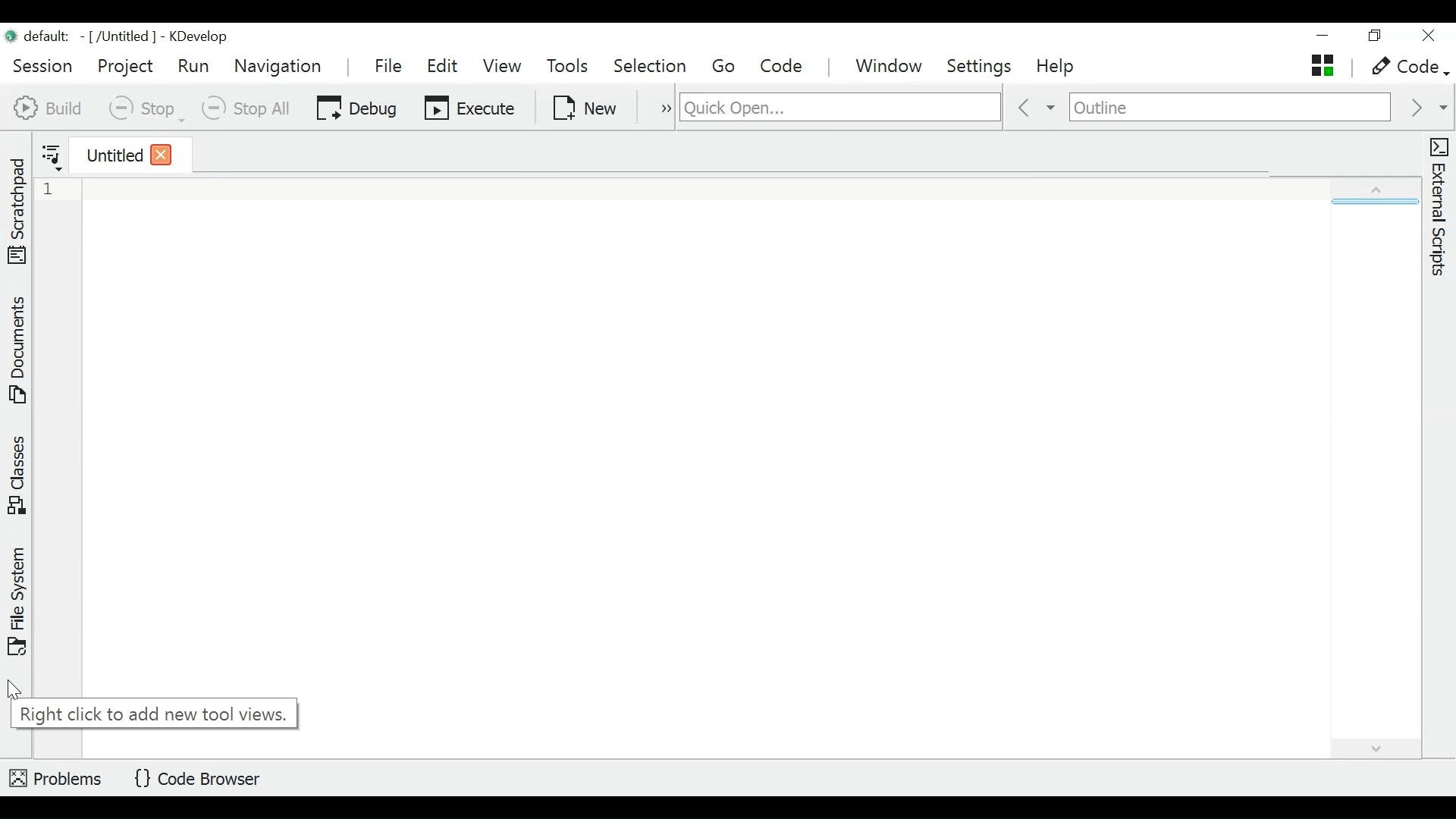  I want to click on File, so click(388, 64).